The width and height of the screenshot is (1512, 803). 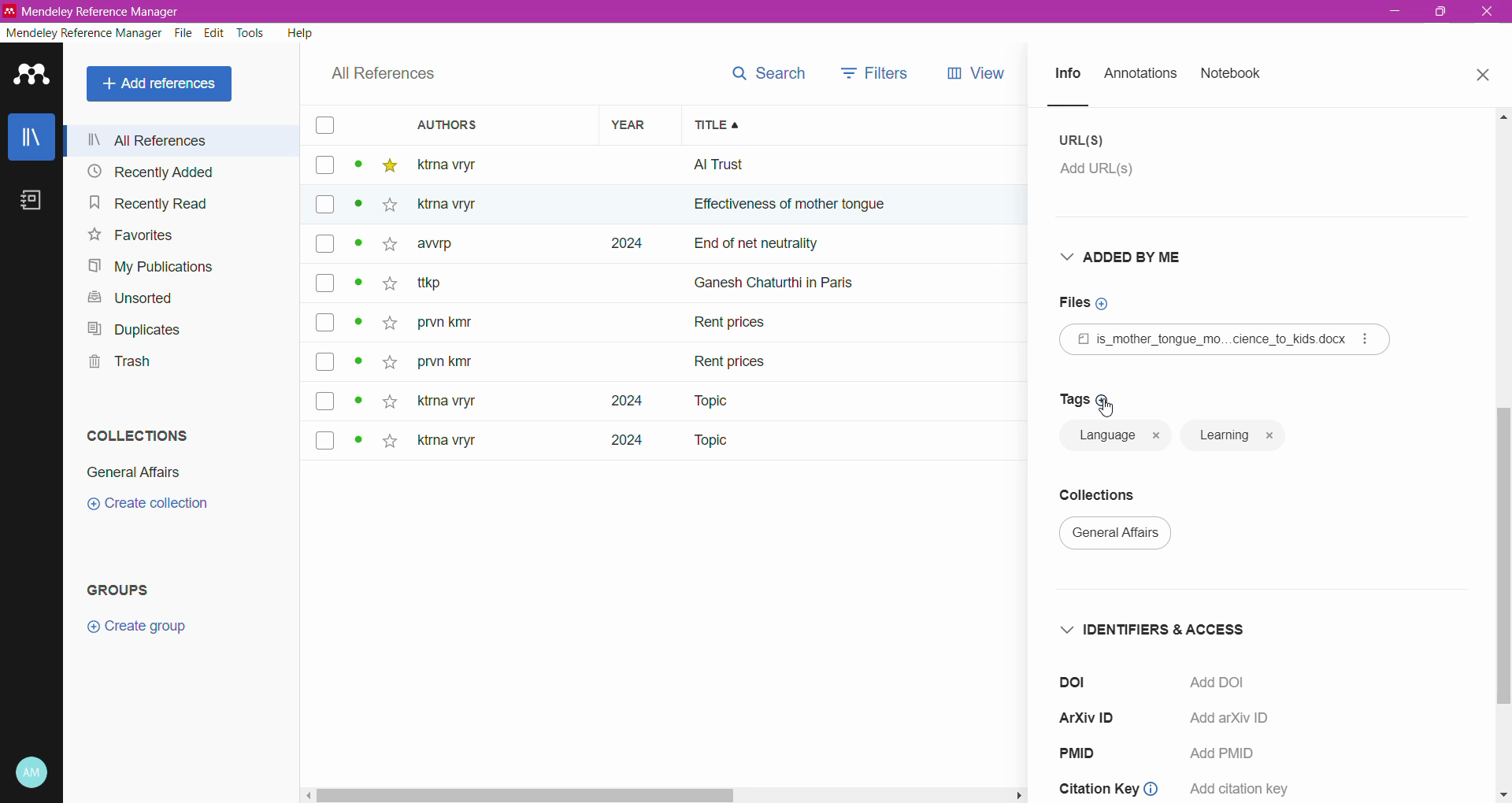 What do you see at coordinates (1436, 17) in the screenshot?
I see `maximize` at bounding box center [1436, 17].